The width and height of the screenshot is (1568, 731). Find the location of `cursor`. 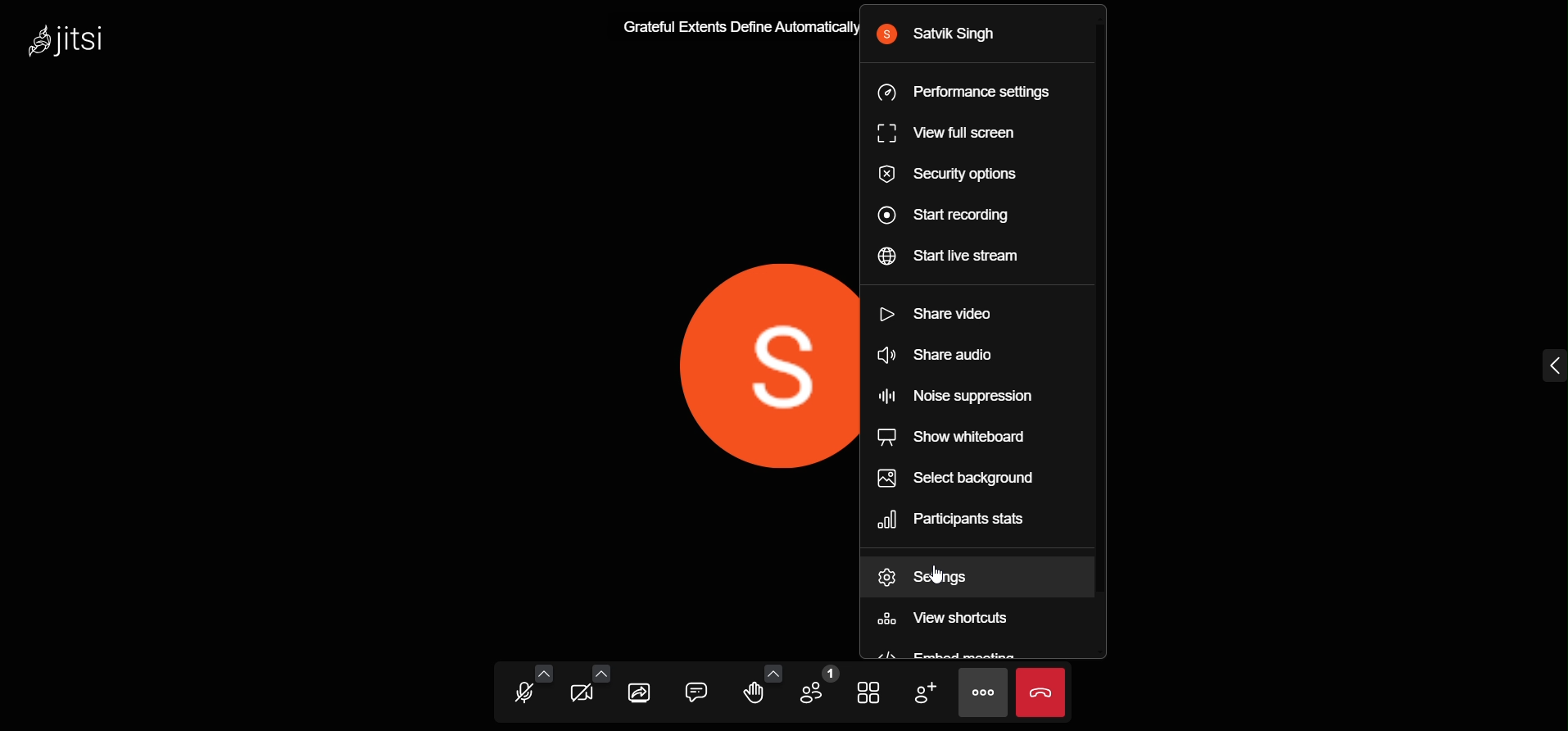

cursor is located at coordinates (948, 573).